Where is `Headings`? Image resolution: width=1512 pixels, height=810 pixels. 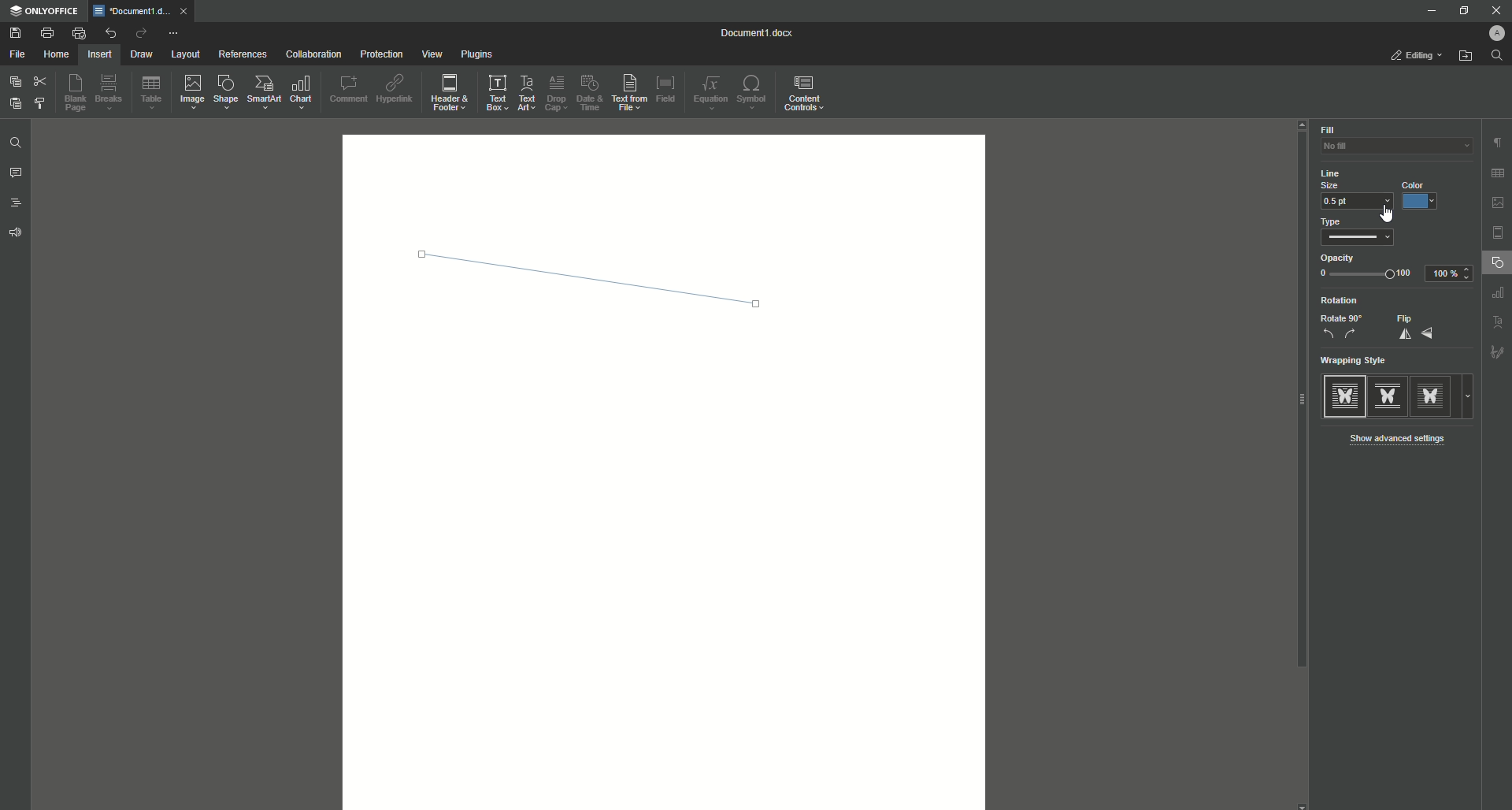
Headings is located at coordinates (17, 205).